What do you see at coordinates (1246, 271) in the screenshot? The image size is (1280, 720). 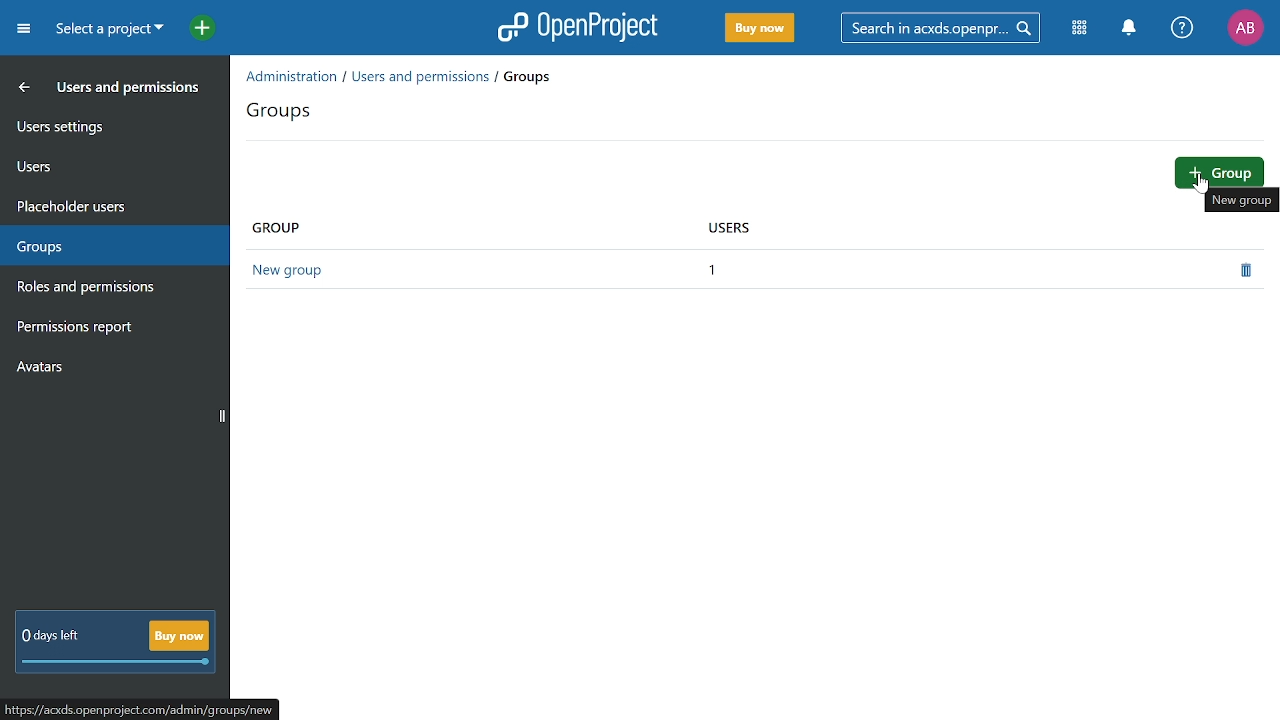 I see `delete group` at bounding box center [1246, 271].